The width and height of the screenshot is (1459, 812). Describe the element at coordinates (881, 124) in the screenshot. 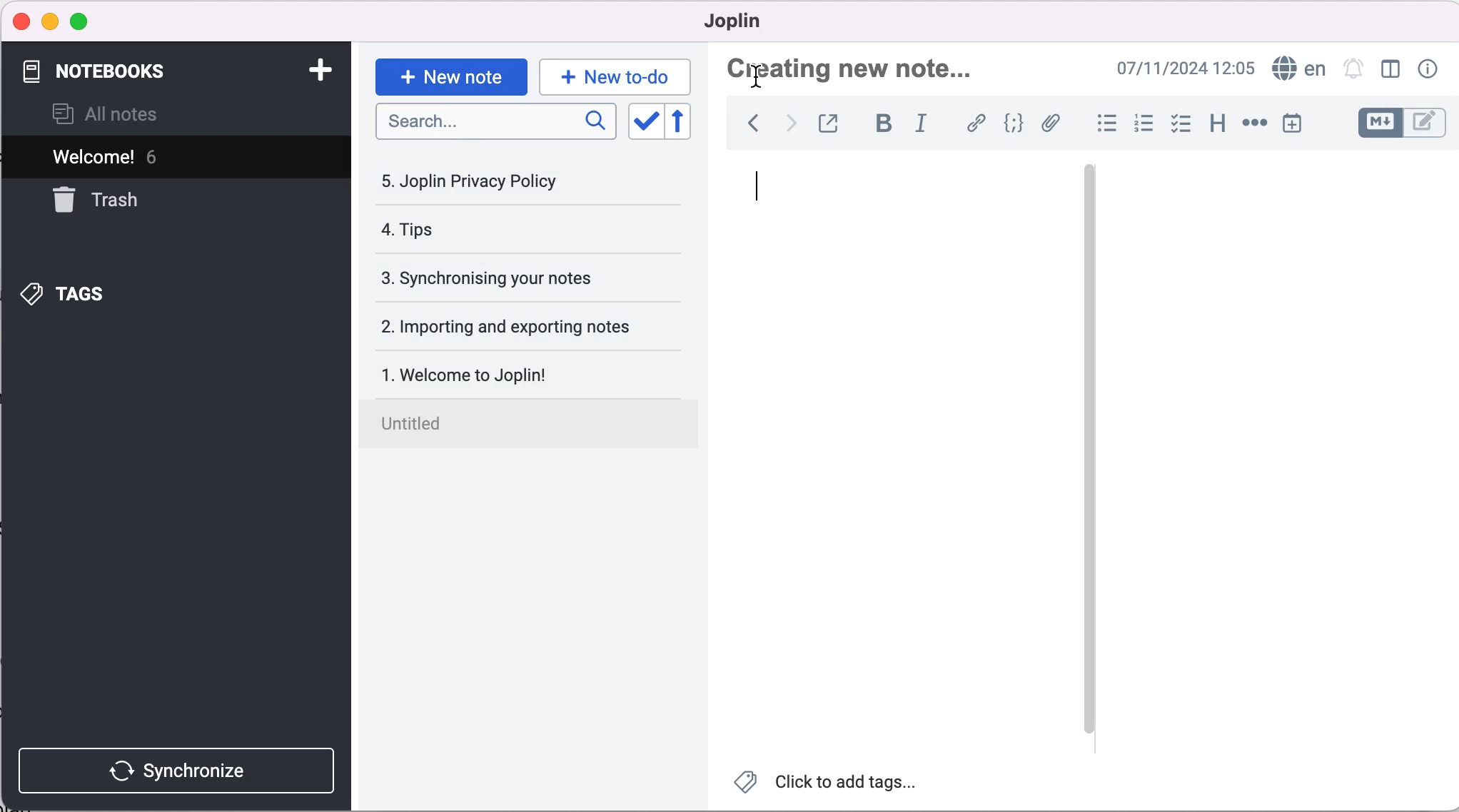

I see `bold` at that location.